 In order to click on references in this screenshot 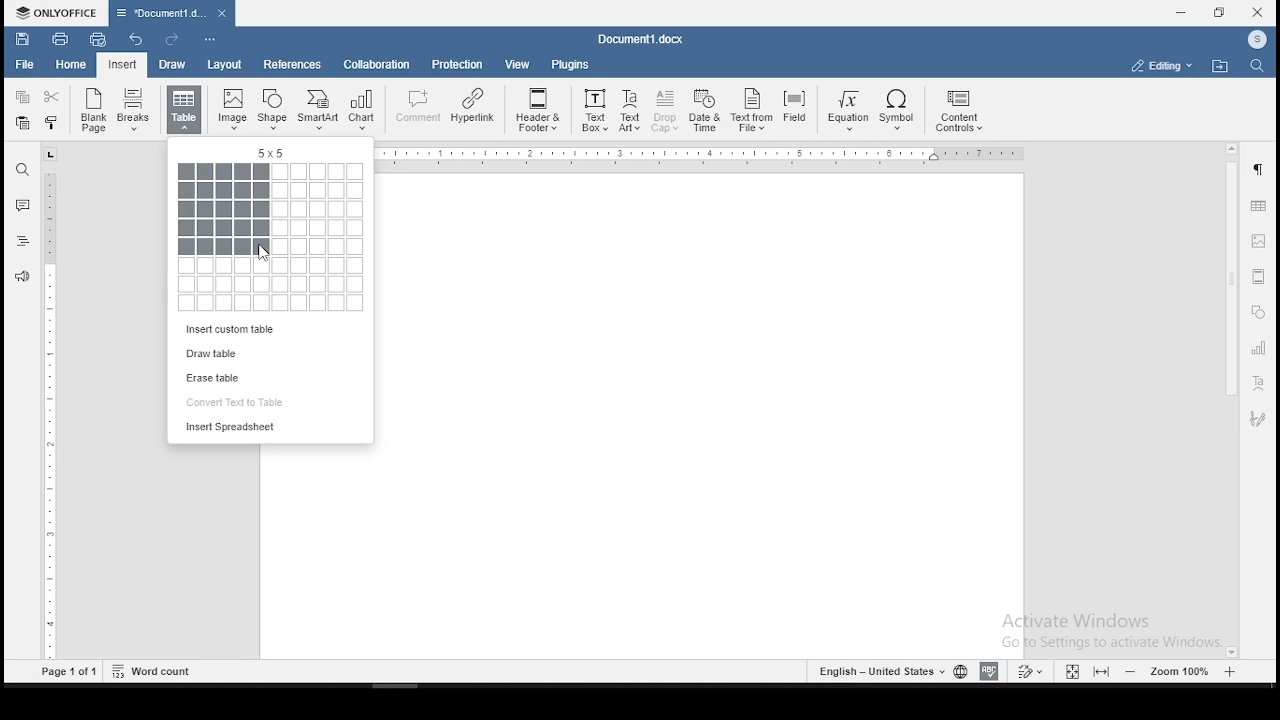, I will do `click(291, 65)`.